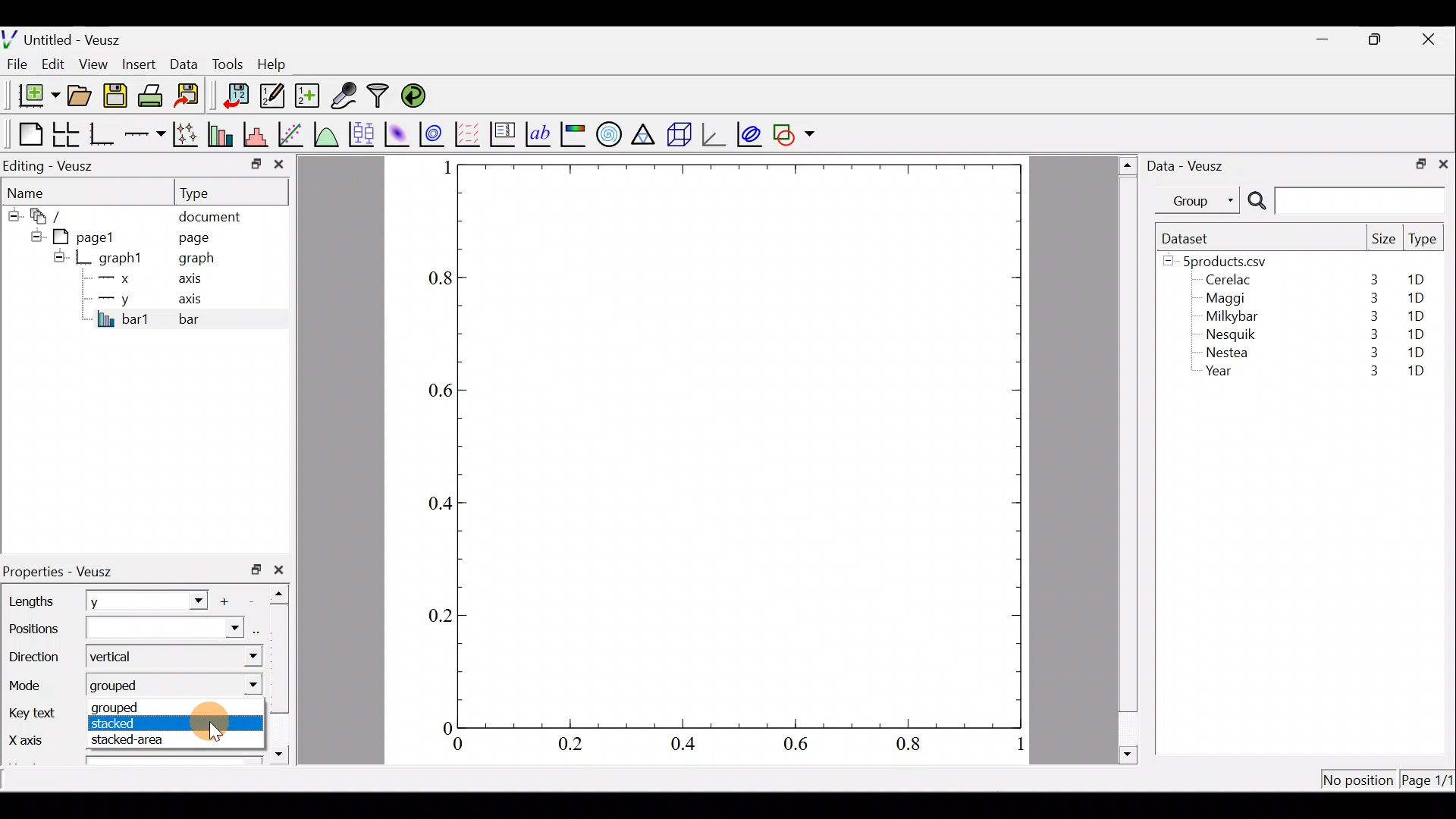  Describe the element at coordinates (1421, 280) in the screenshot. I see `1D` at that location.